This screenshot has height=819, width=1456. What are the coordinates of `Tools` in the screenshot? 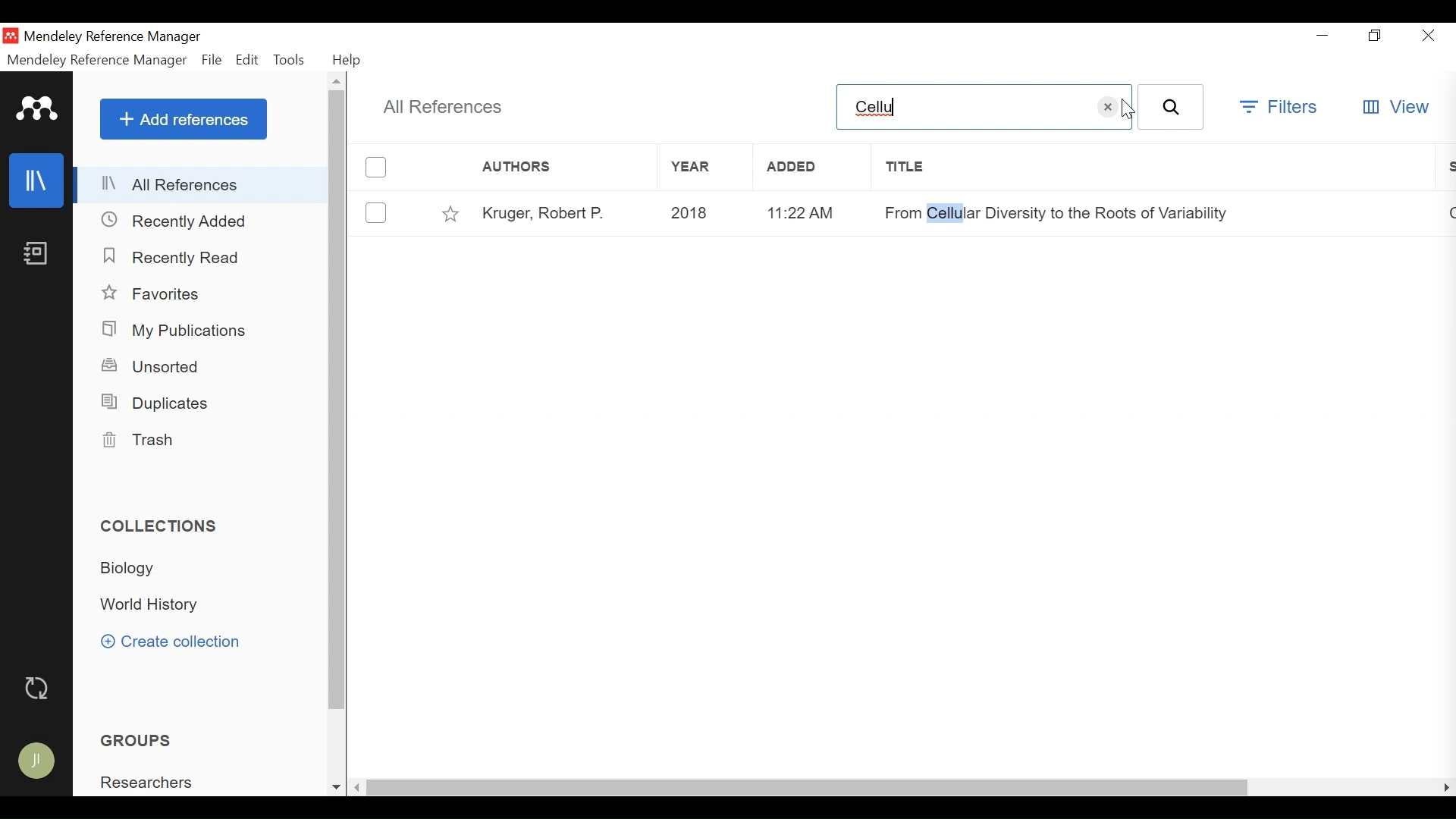 It's located at (292, 61).